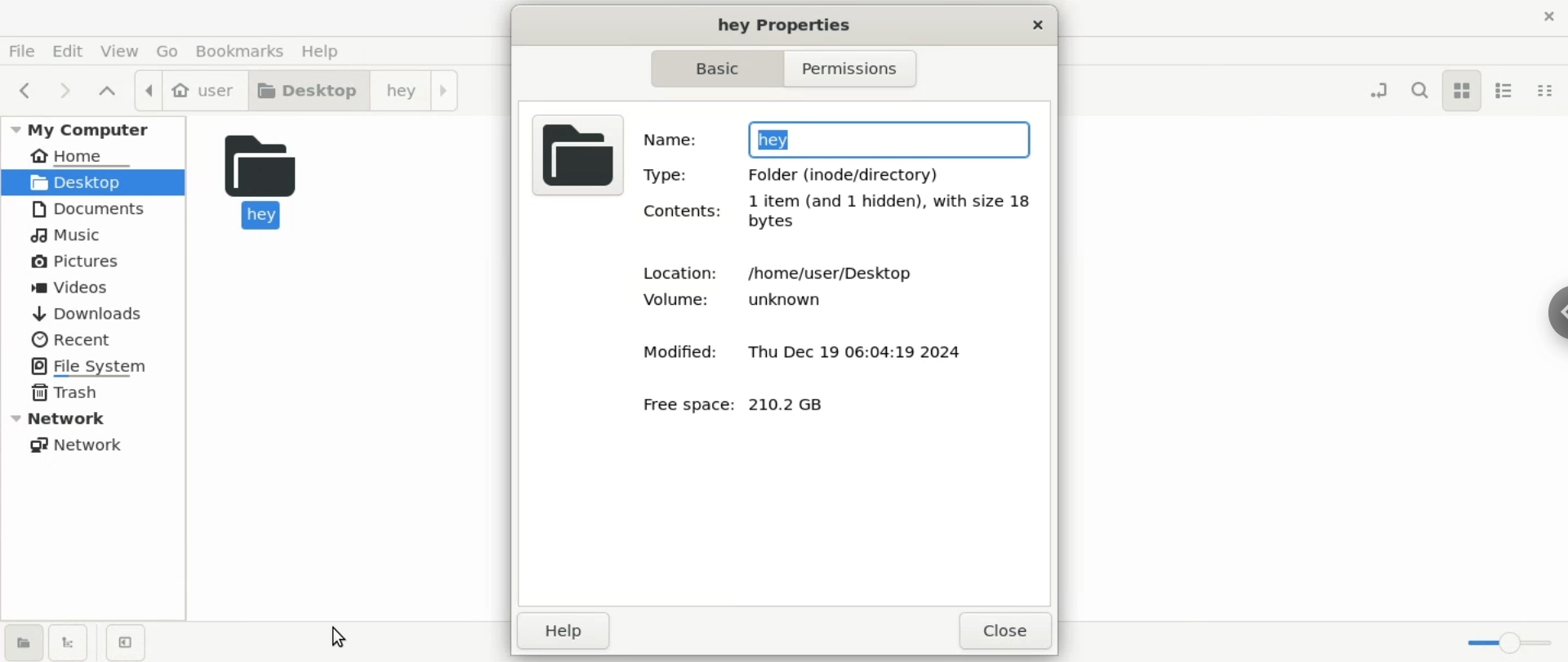  I want to click on hey, so click(260, 179).